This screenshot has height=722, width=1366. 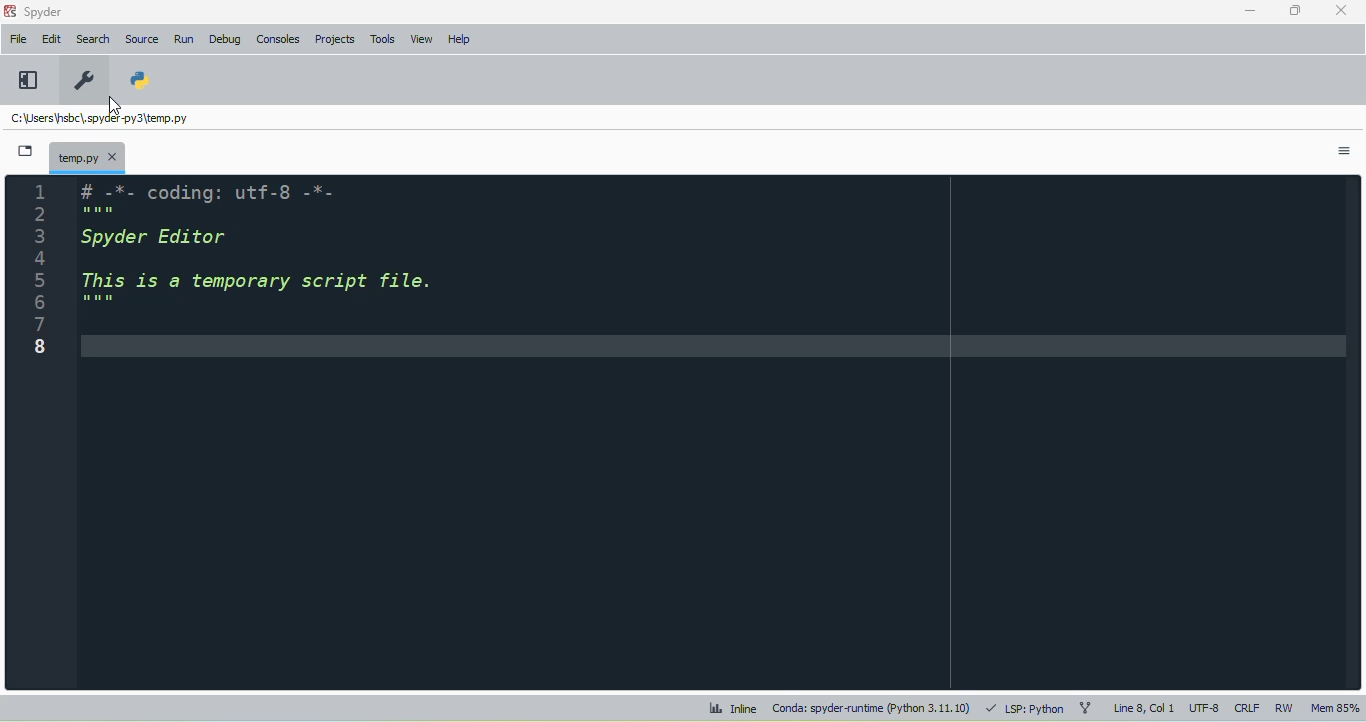 What do you see at coordinates (1247, 708) in the screenshot?
I see `CRLF` at bounding box center [1247, 708].